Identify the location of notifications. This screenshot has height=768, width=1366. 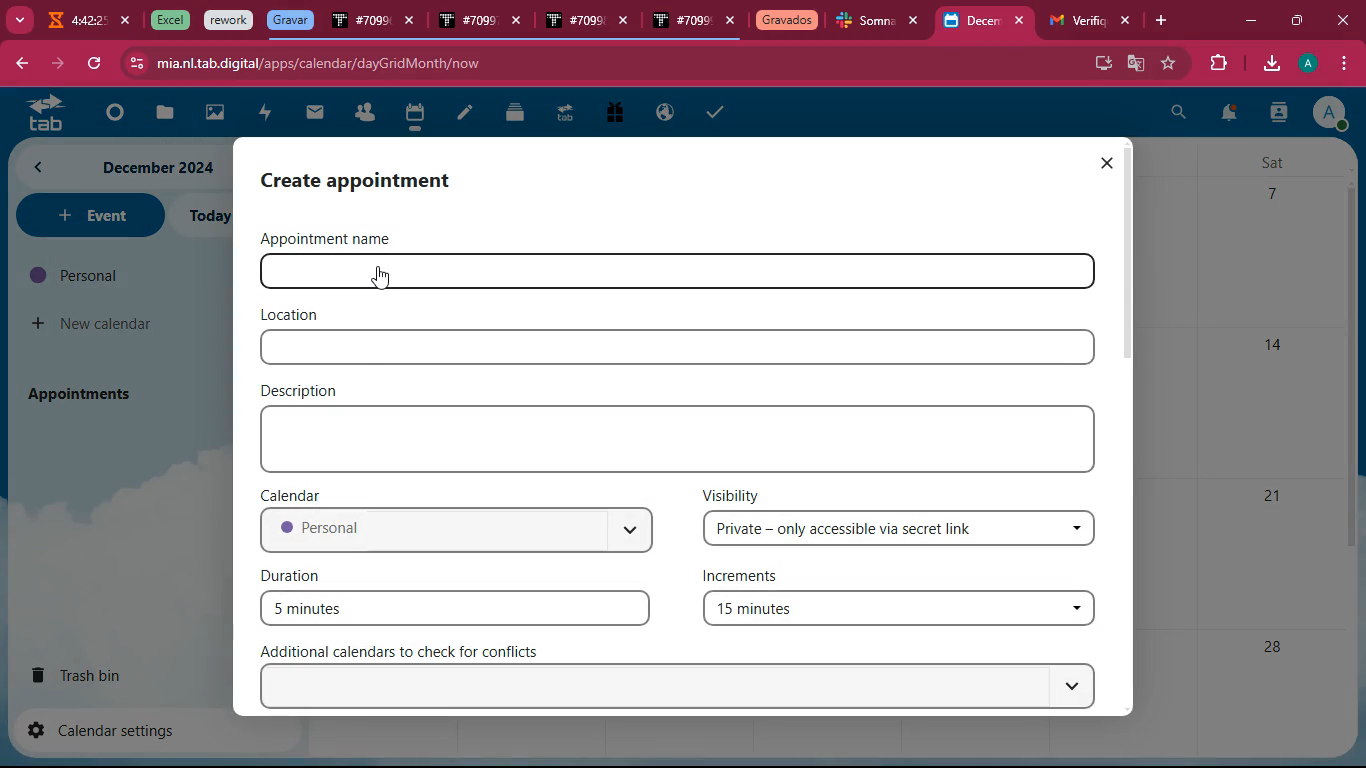
(1227, 116).